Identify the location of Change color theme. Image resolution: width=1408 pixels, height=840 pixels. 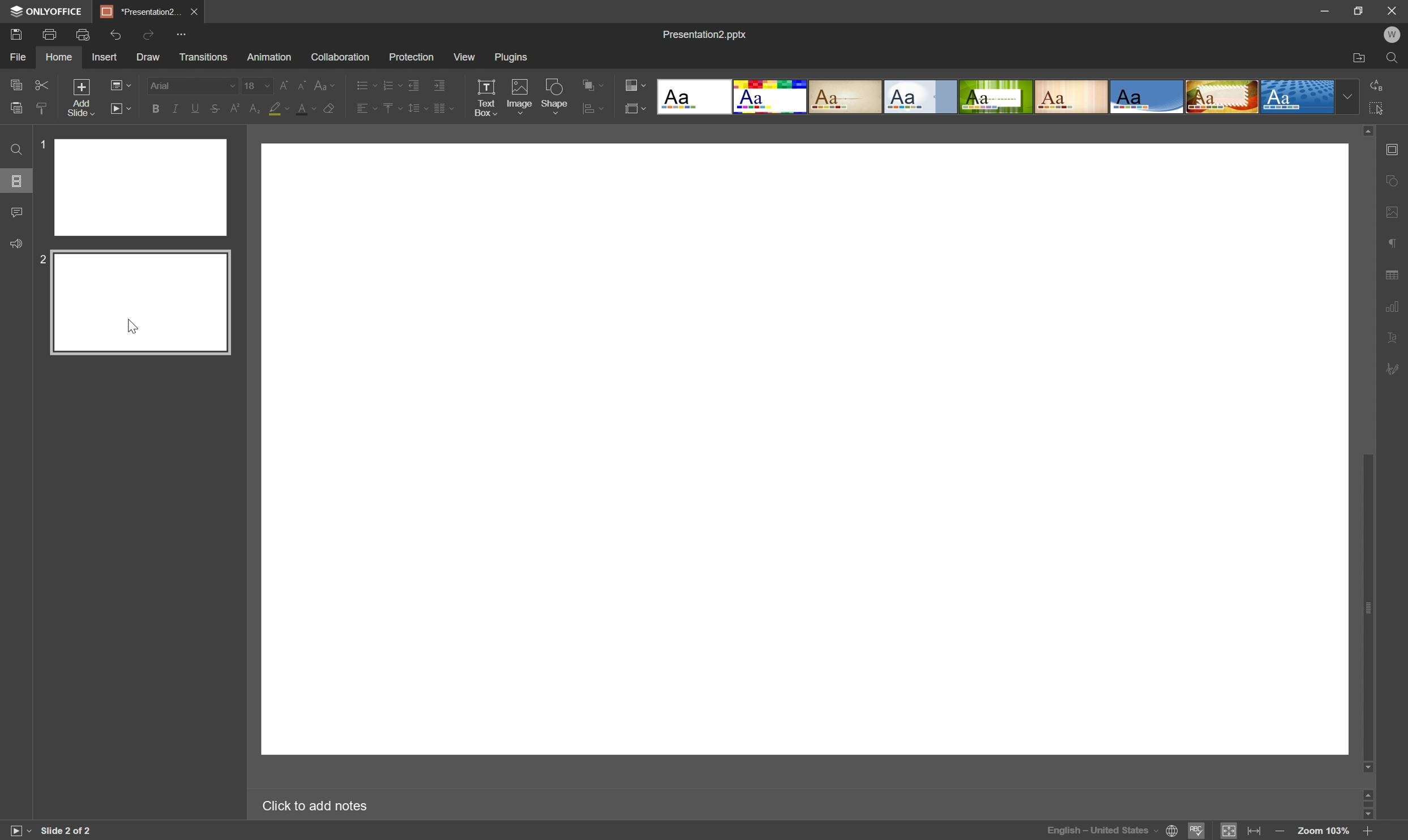
(635, 83).